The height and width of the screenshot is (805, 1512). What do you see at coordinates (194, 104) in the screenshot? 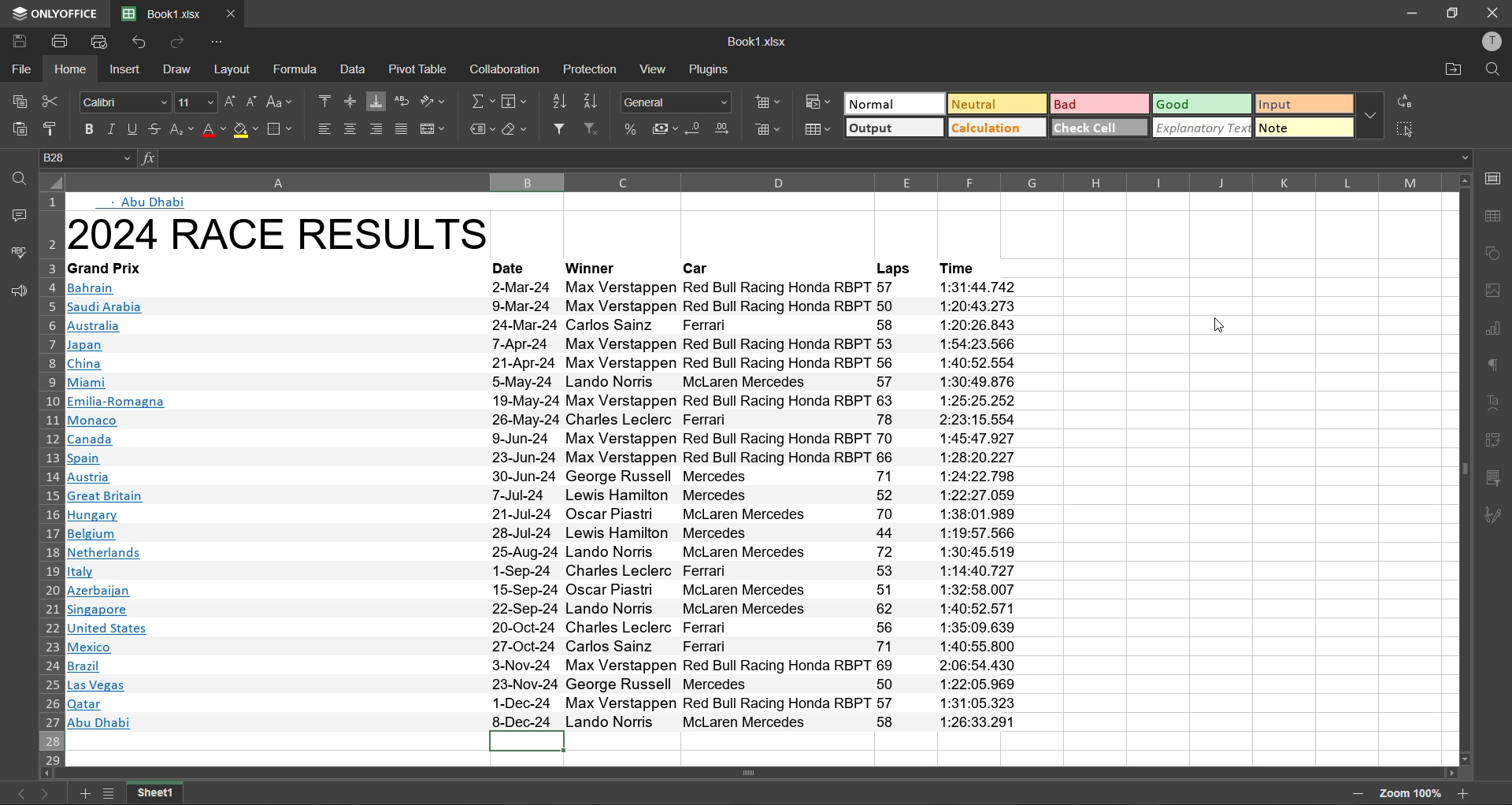
I see `font size` at bounding box center [194, 104].